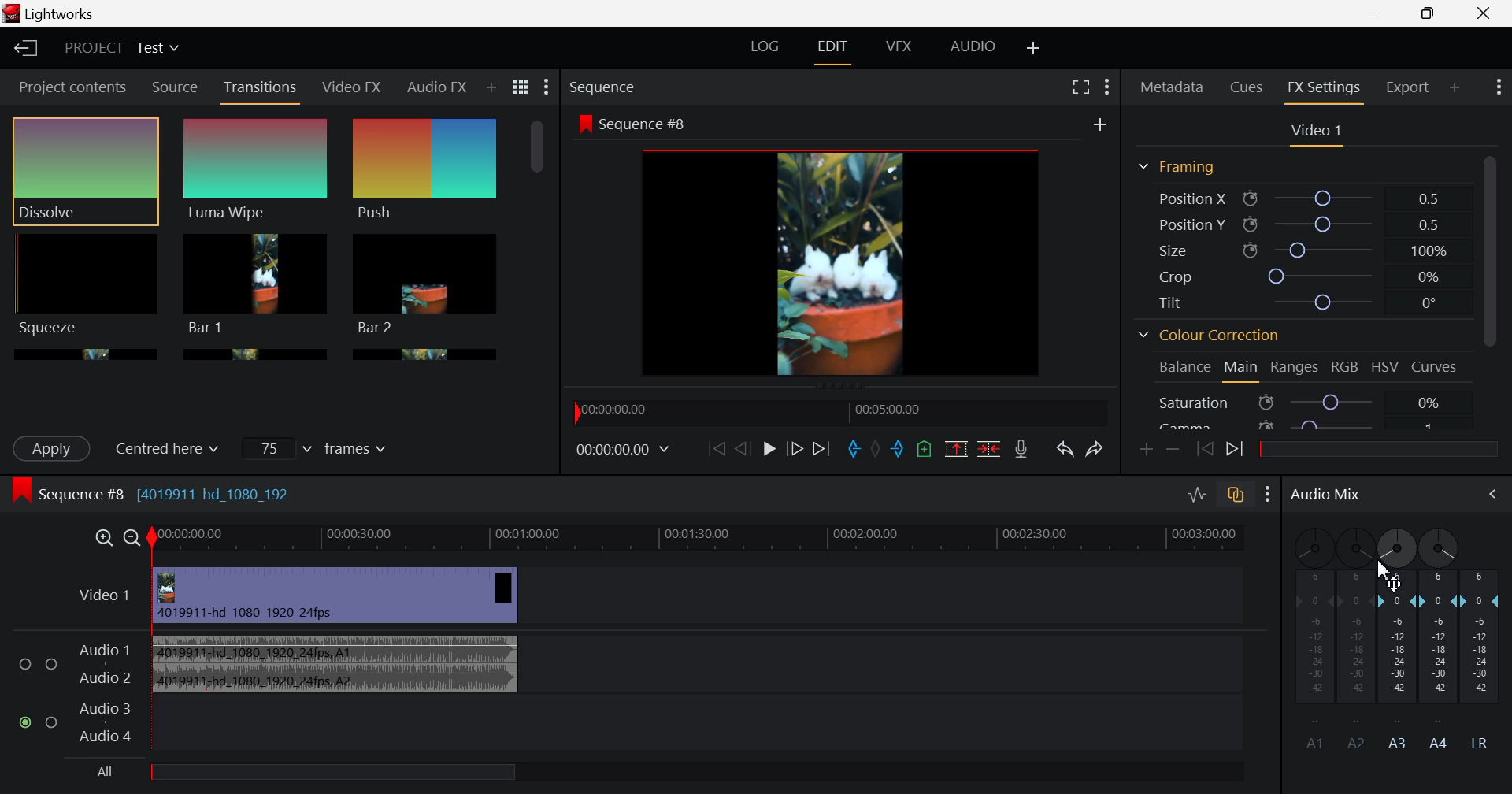 This screenshot has width=1512, height=794. Describe the element at coordinates (976, 49) in the screenshot. I see `AUDIO Layout` at that location.